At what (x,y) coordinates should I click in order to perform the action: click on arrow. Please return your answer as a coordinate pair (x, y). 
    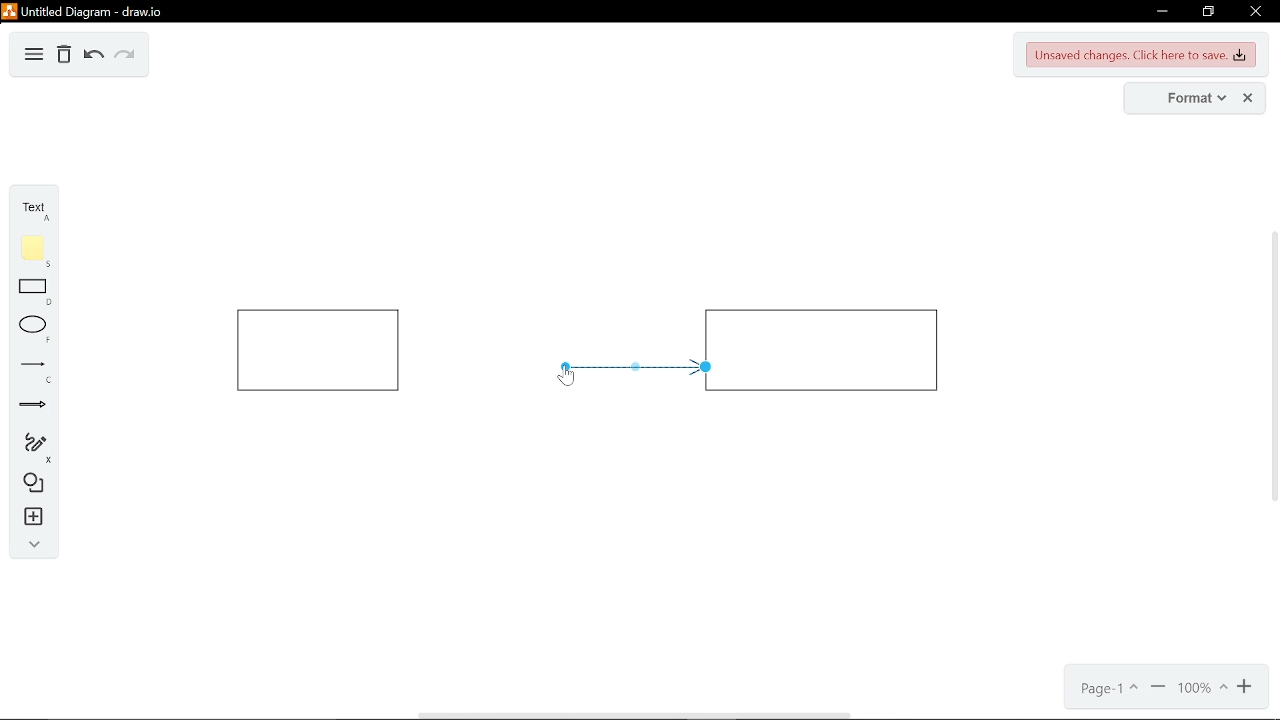
    Looking at the image, I should click on (630, 367).